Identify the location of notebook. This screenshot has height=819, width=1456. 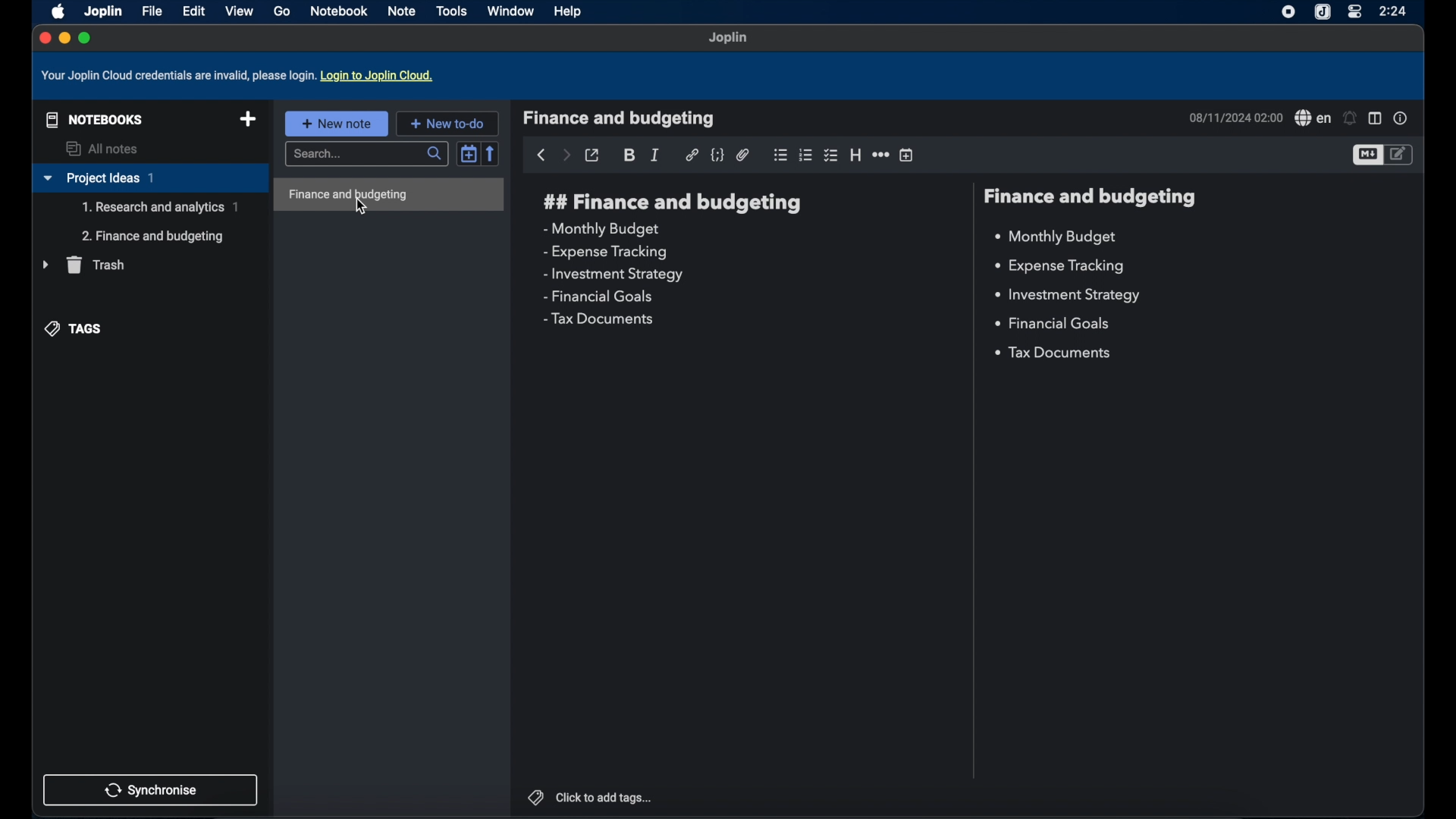
(340, 11).